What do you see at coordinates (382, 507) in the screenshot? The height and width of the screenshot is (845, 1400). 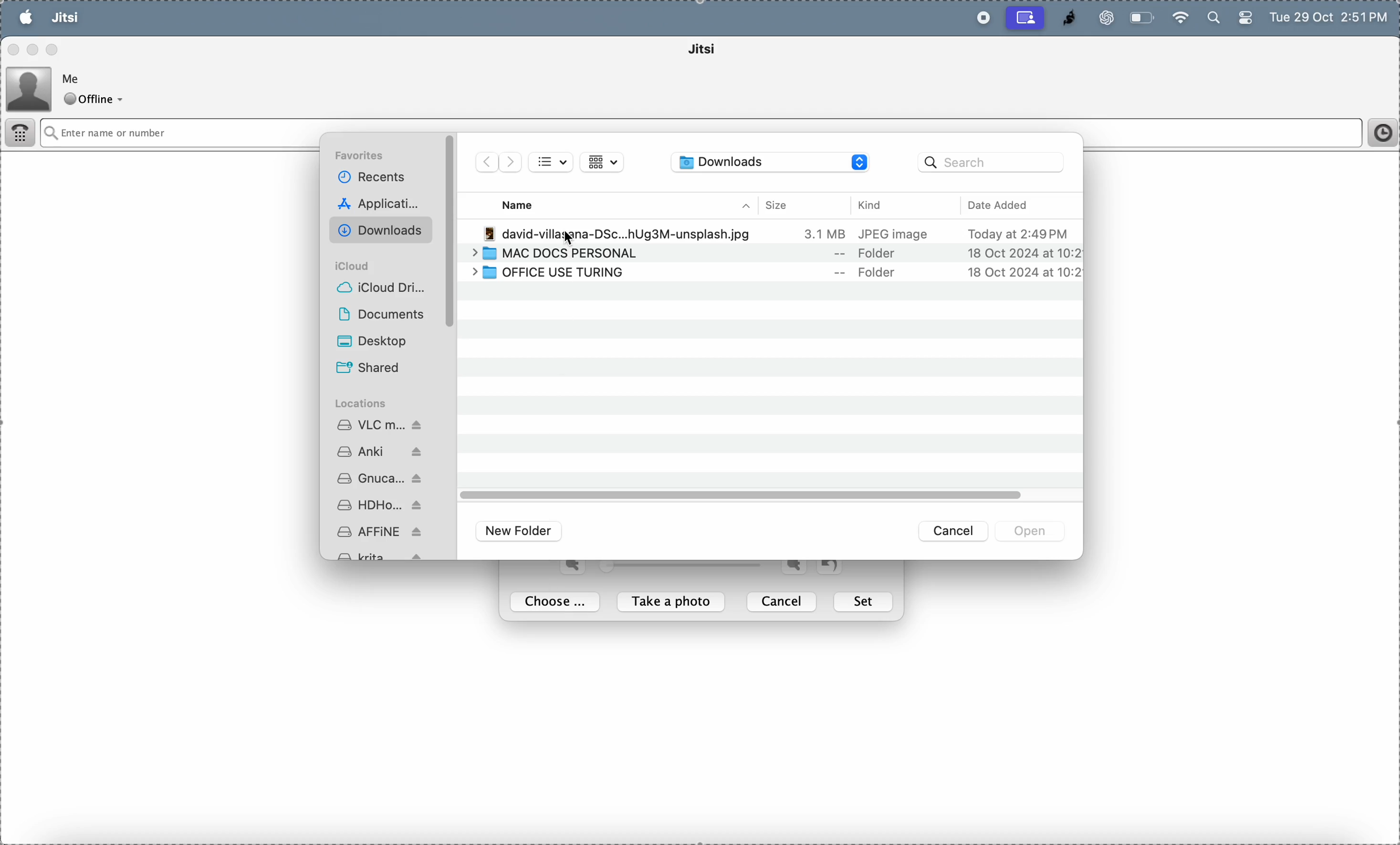 I see `hd ` at bounding box center [382, 507].